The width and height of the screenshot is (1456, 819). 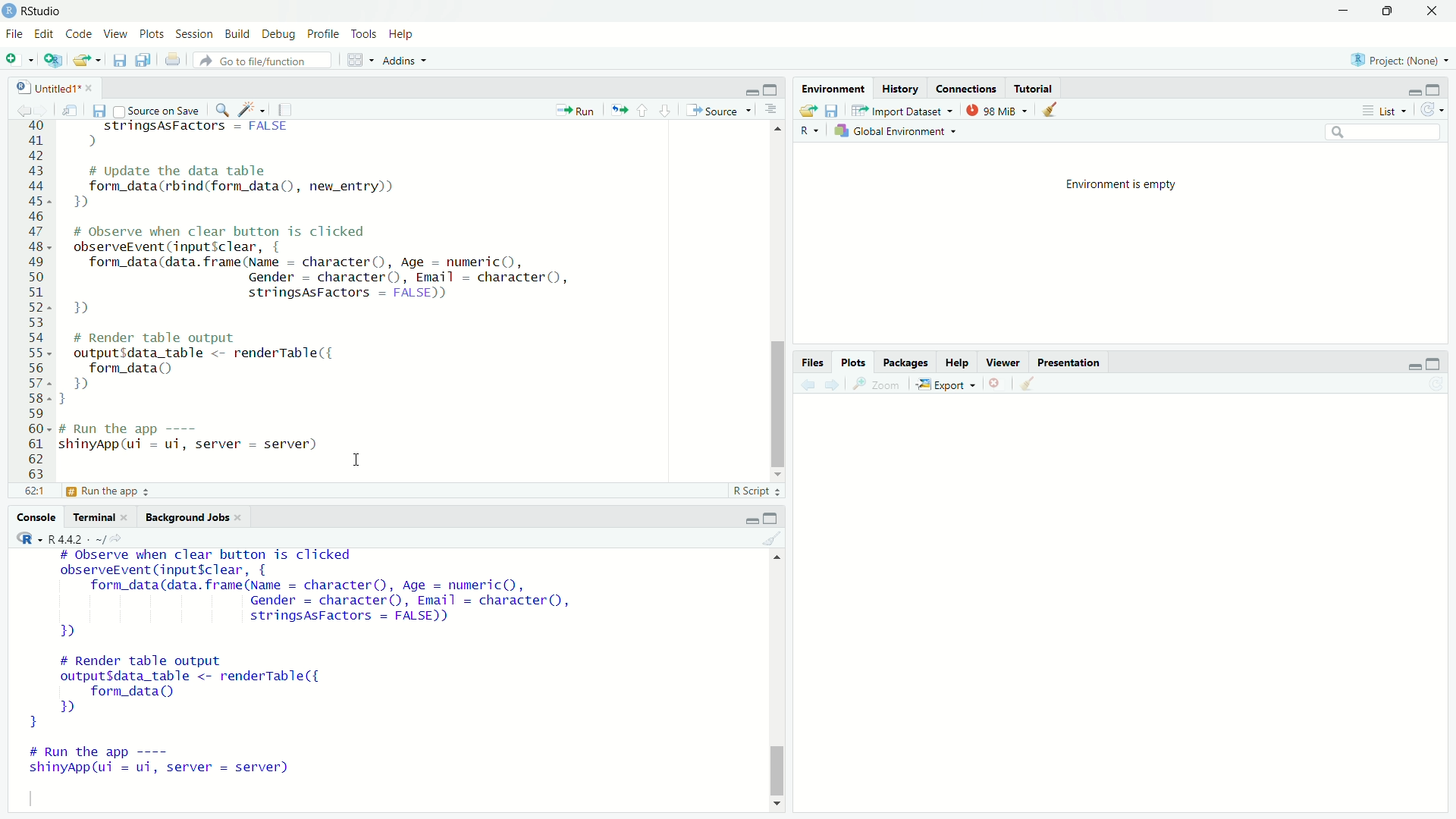 What do you see at coordinates (403, 33) in the screenshot?
I see `Help` at bounding box center [403, 33].